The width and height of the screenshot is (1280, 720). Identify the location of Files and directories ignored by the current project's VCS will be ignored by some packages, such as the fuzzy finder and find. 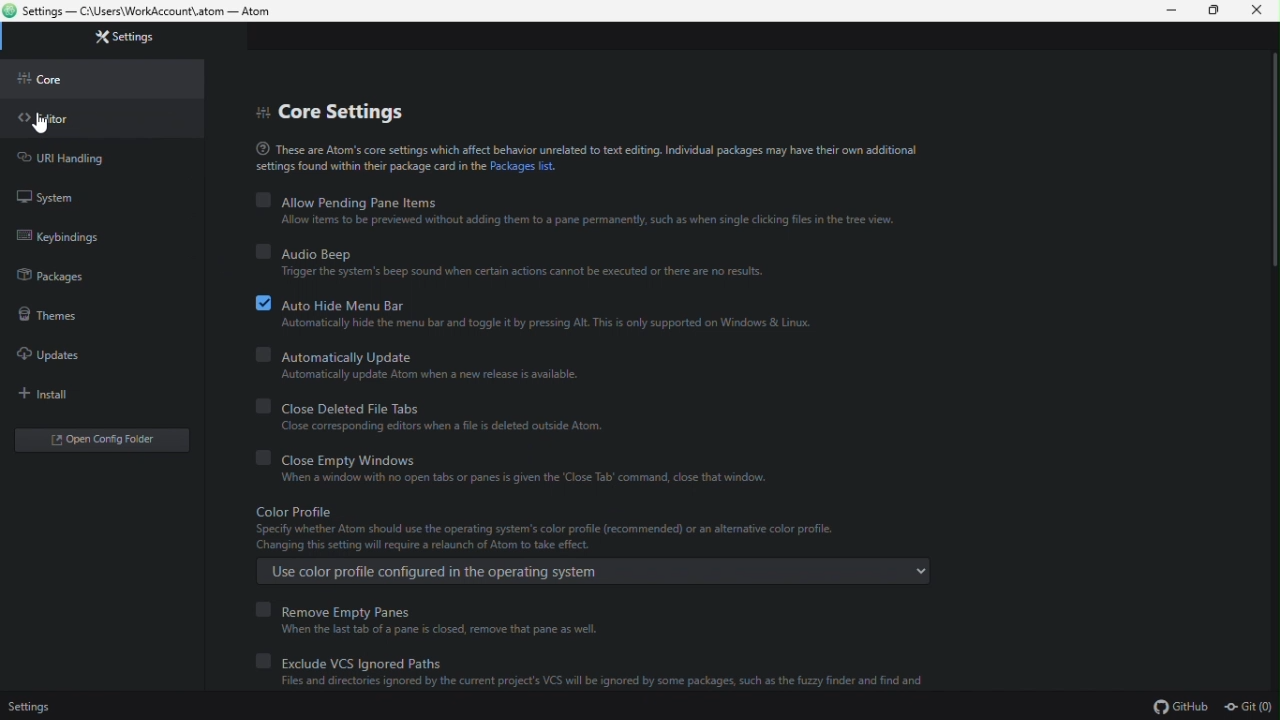
(600, 684).